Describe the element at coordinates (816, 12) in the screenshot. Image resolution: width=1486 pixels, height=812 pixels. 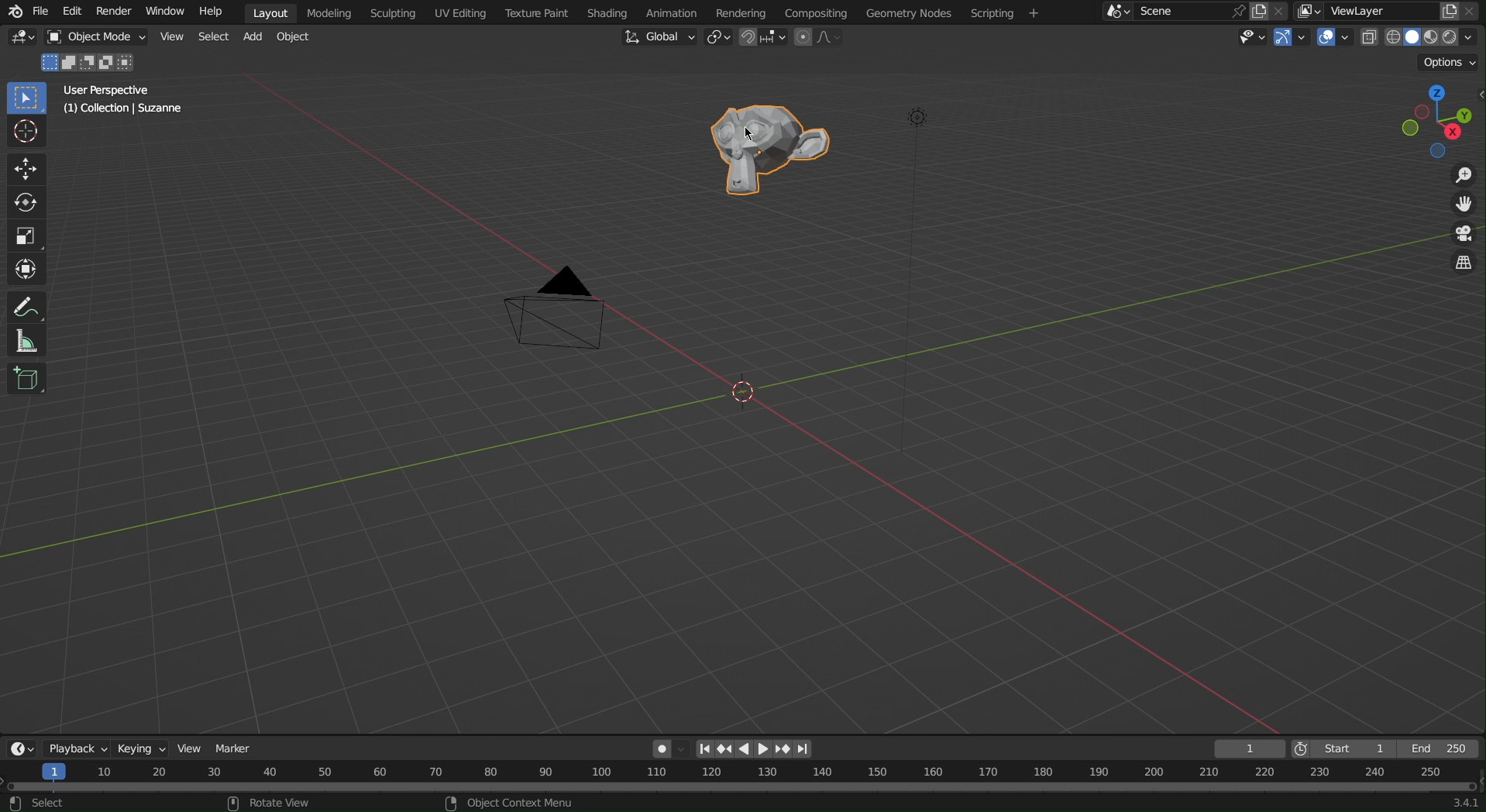
I see `Compositing` at that location.